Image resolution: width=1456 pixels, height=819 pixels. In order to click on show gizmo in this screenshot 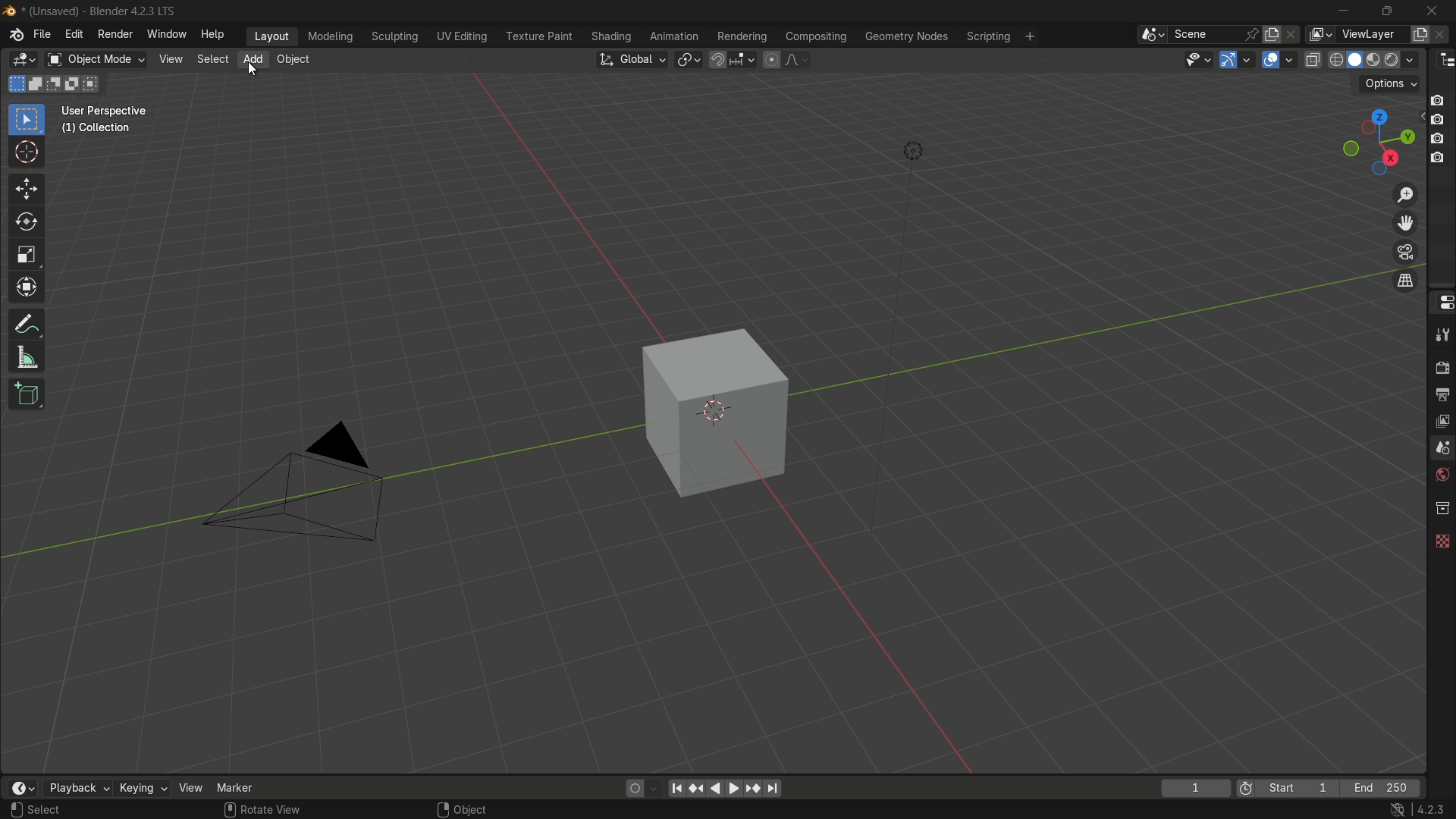, I will do `click(1227, 59)`.